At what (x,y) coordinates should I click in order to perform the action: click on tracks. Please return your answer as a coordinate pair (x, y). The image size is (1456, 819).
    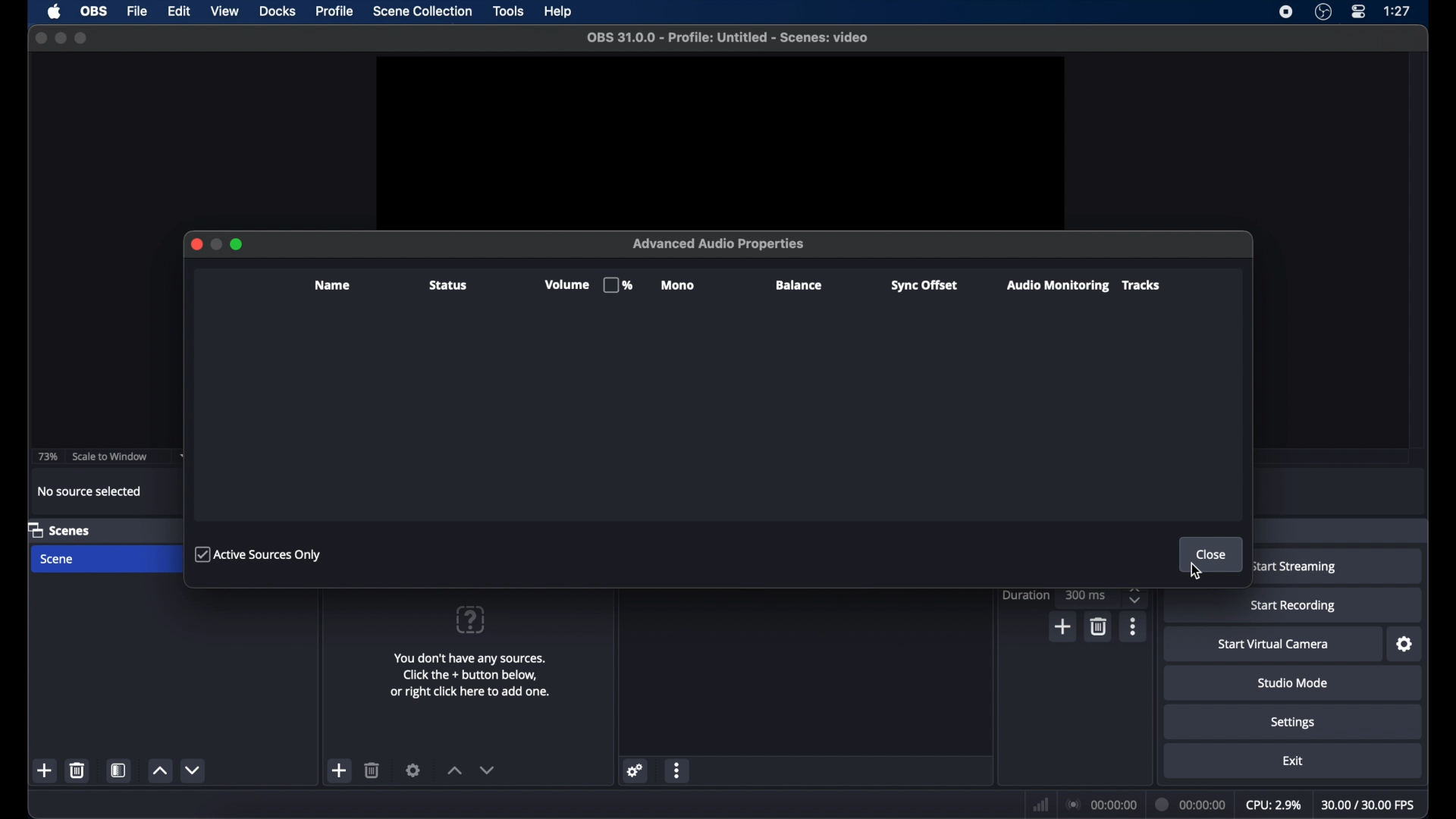
    Looking at the image, I should click on (1141, 285).